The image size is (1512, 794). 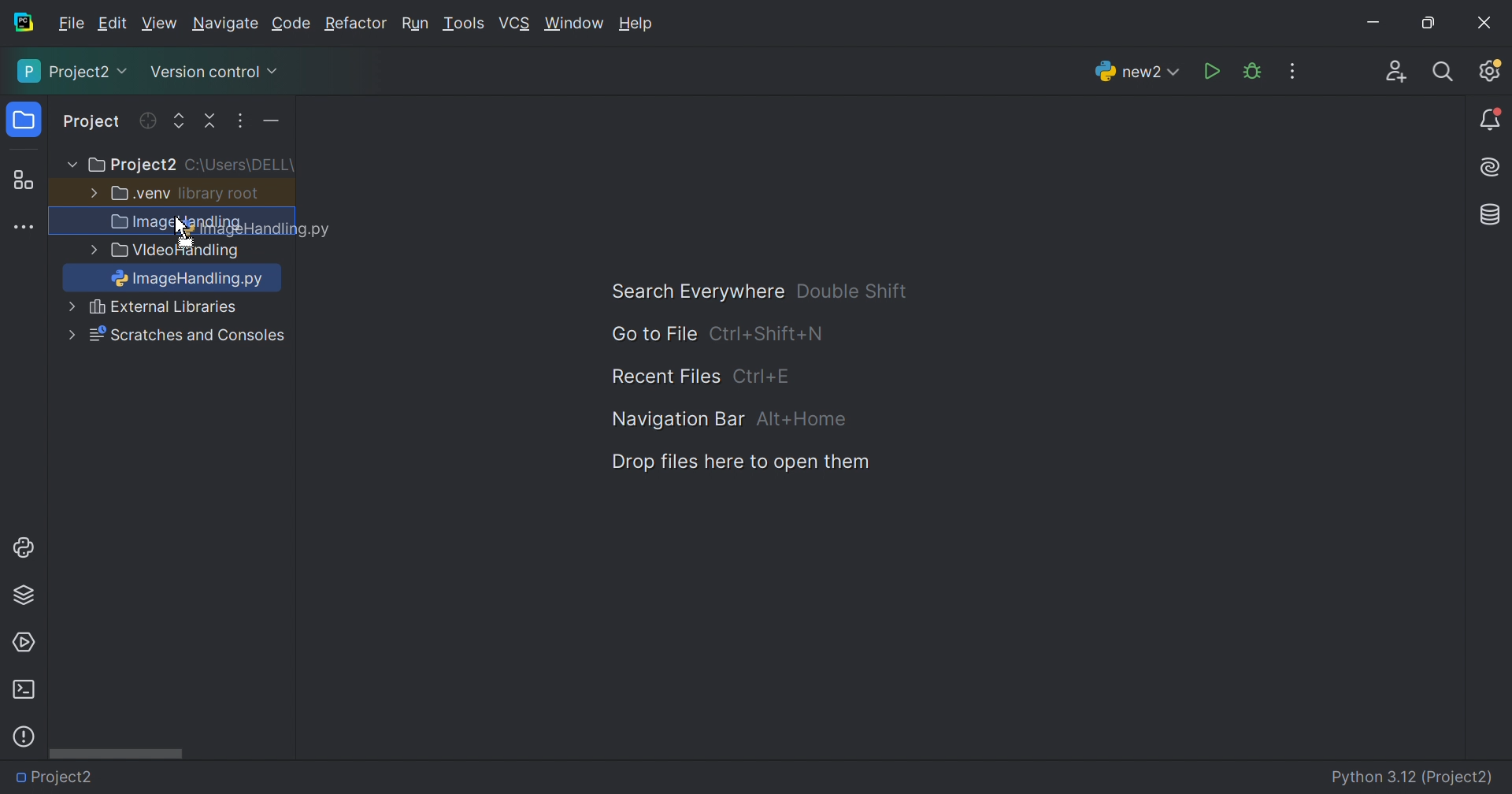 I want to click on Debug, so click(x=1252, y=72).